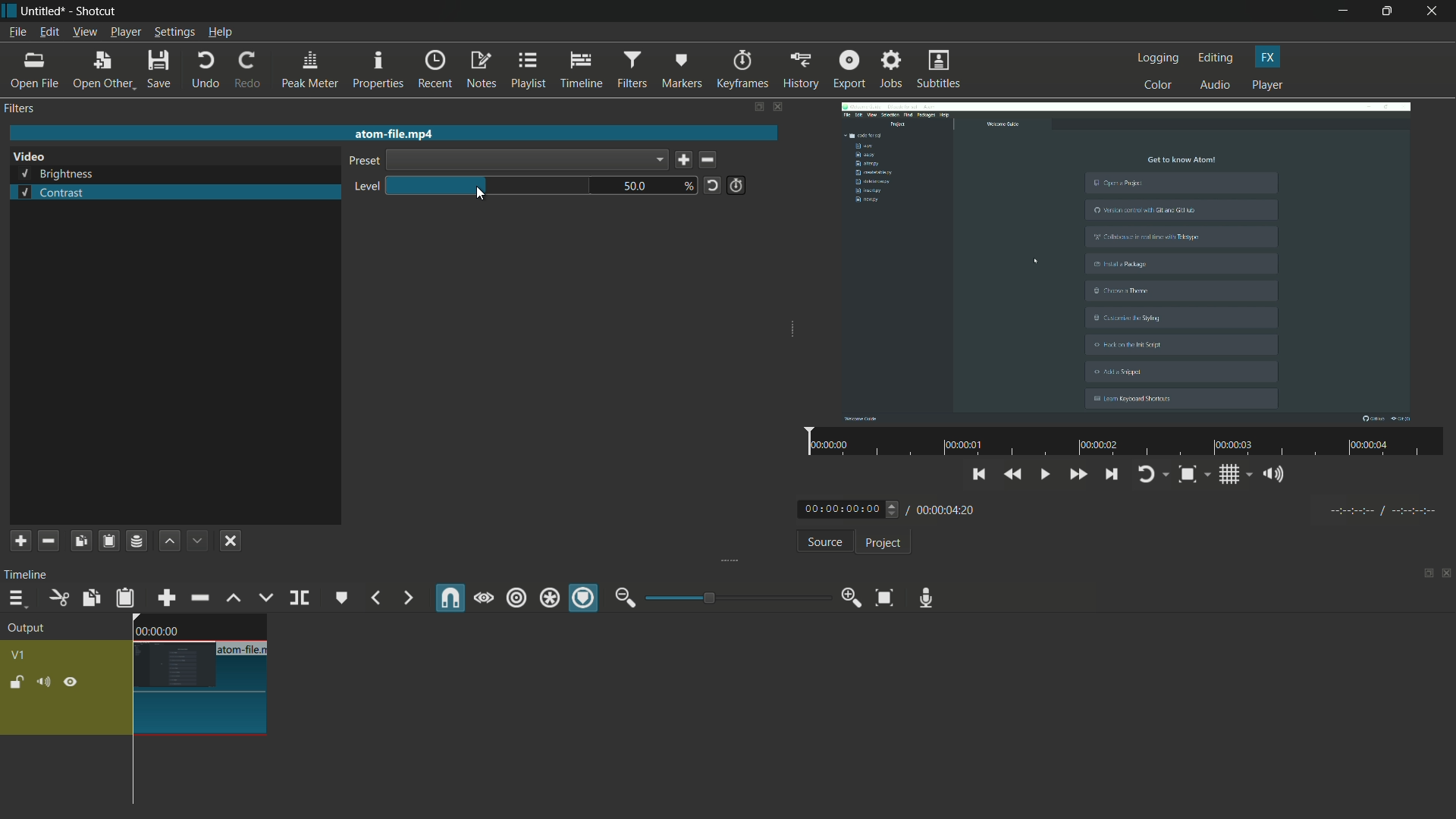 The height and width of the screenshot is (819, 1456). I want to click on preset, so click(362, 162).